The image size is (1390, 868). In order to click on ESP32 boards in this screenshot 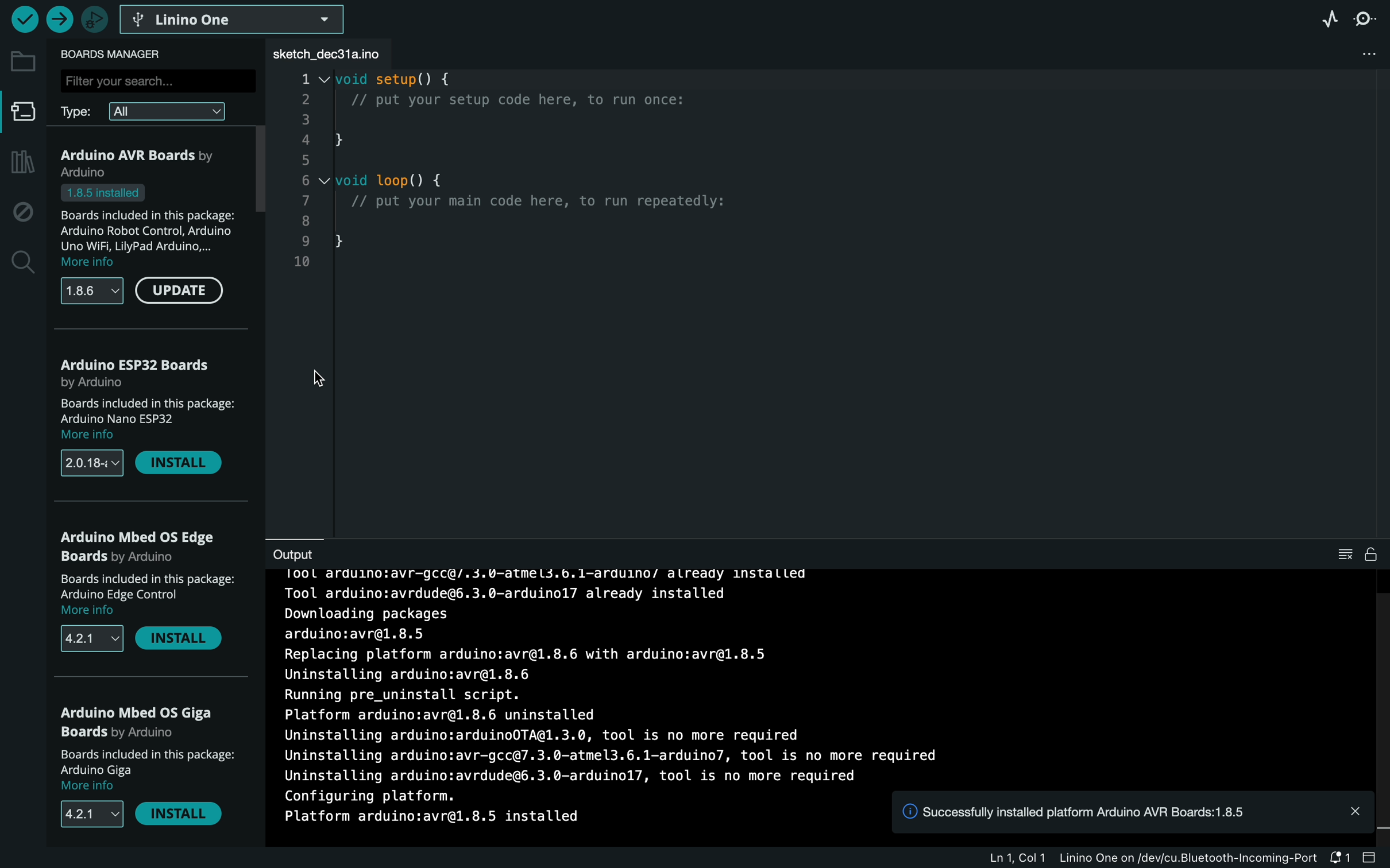, I will do `click(141, 371)`.